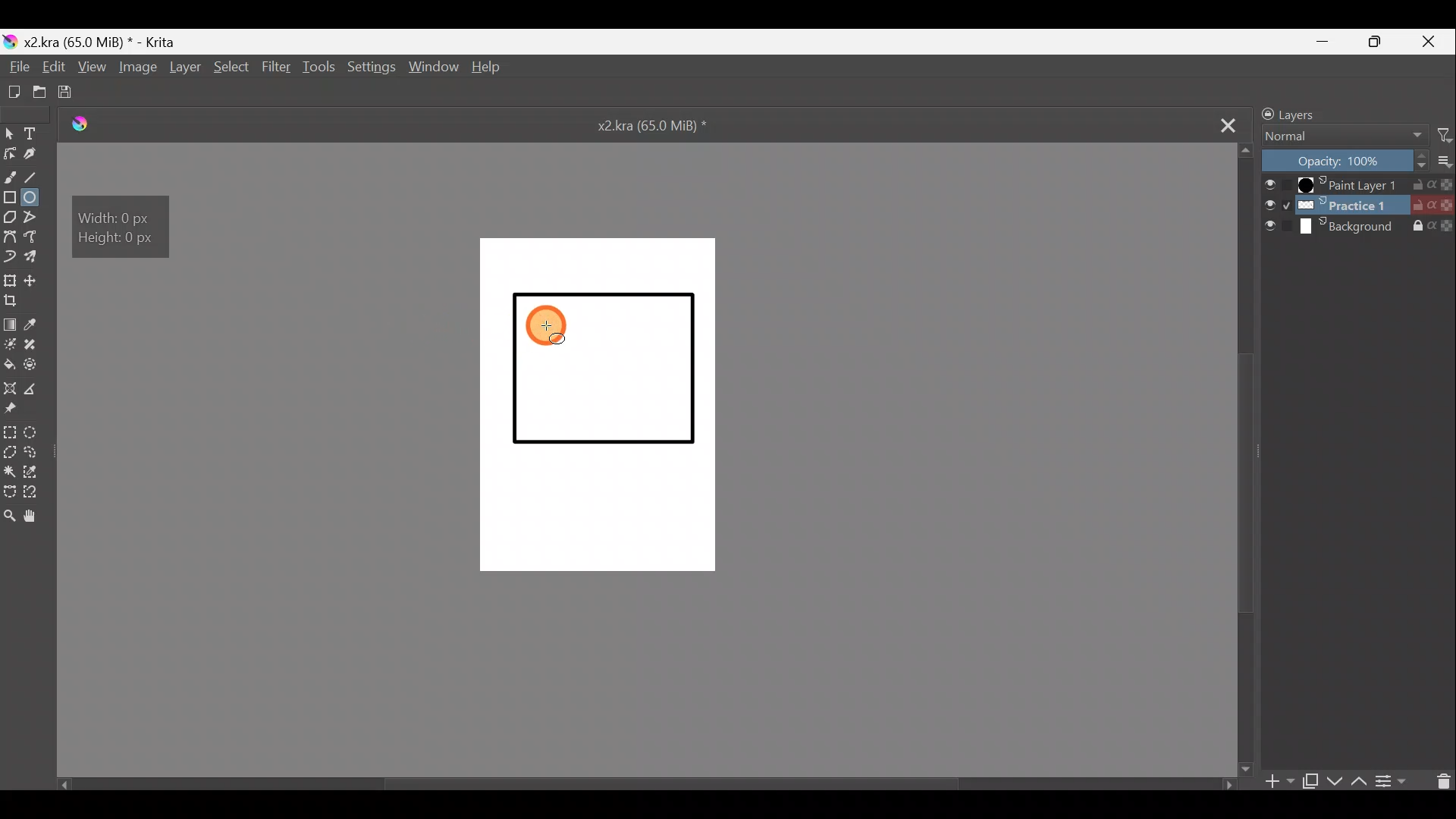  What do you see at coordinates (11, 322) in the screenshot?
I see `Draw a gradient` at bounding box center [11, 322].